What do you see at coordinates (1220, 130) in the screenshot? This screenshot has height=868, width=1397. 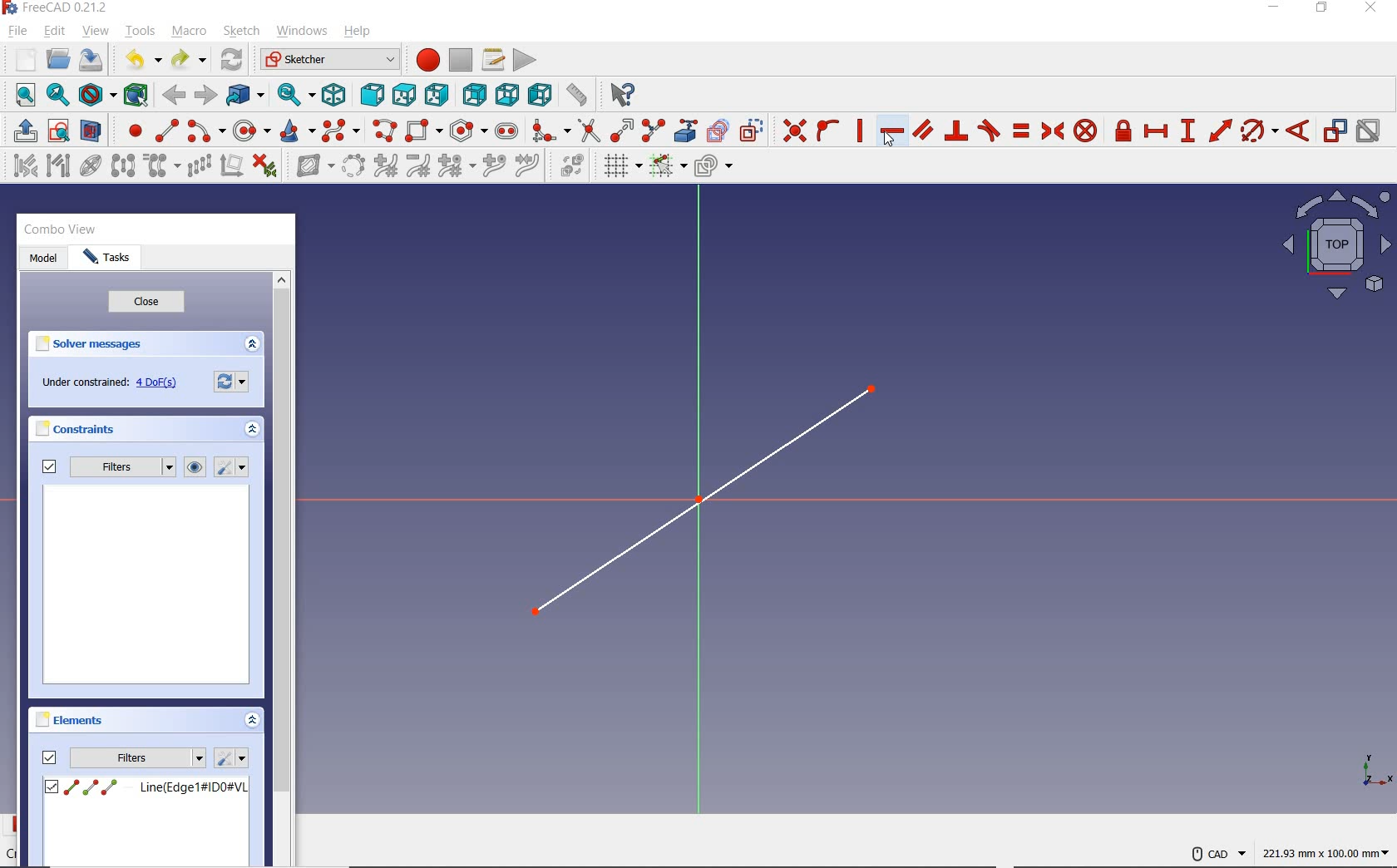 I see `CONSTRAIN DISTANCE` at bounding box center [1220, 130].